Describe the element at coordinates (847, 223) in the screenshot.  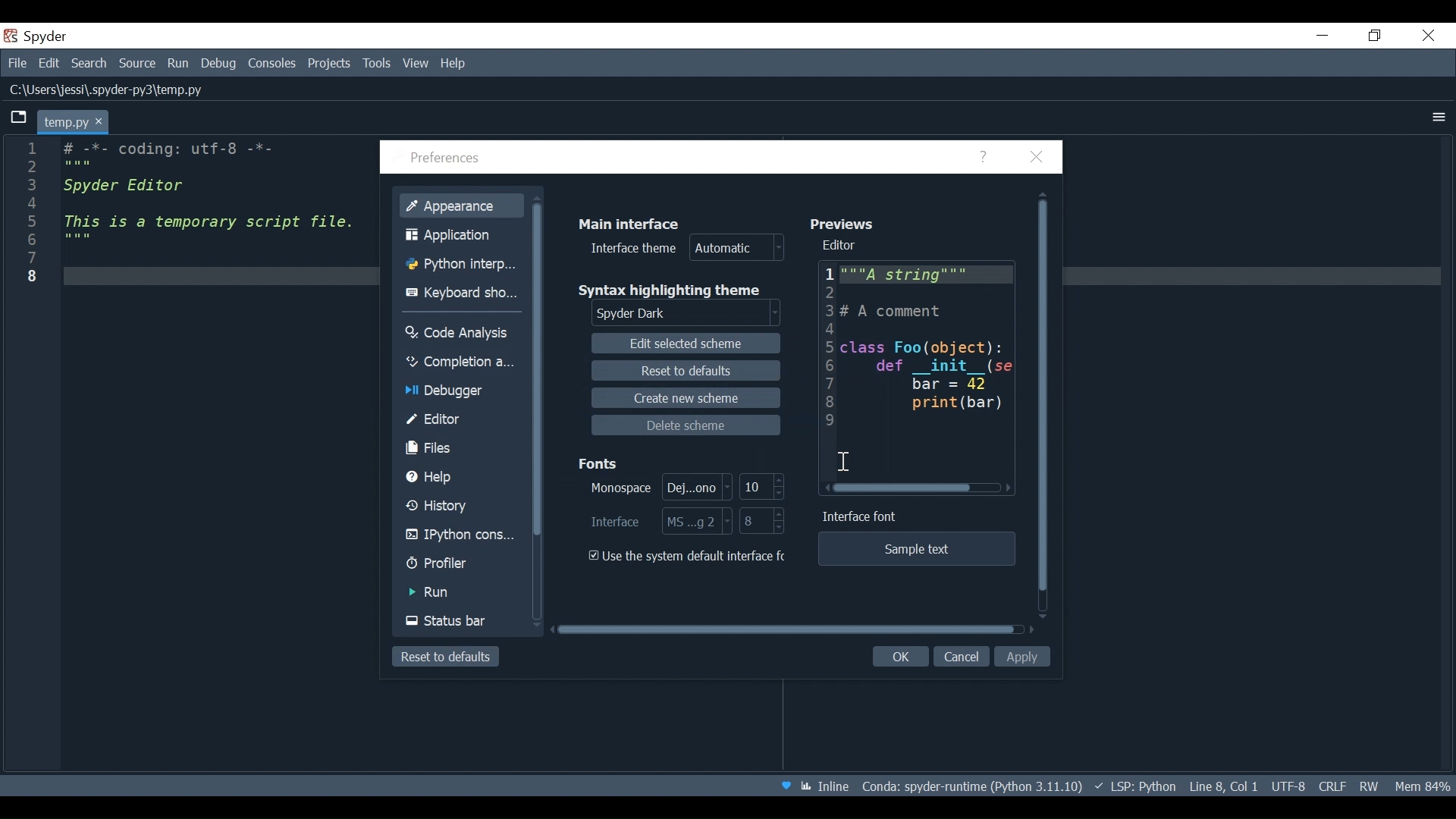
I see `Previews` at that location.